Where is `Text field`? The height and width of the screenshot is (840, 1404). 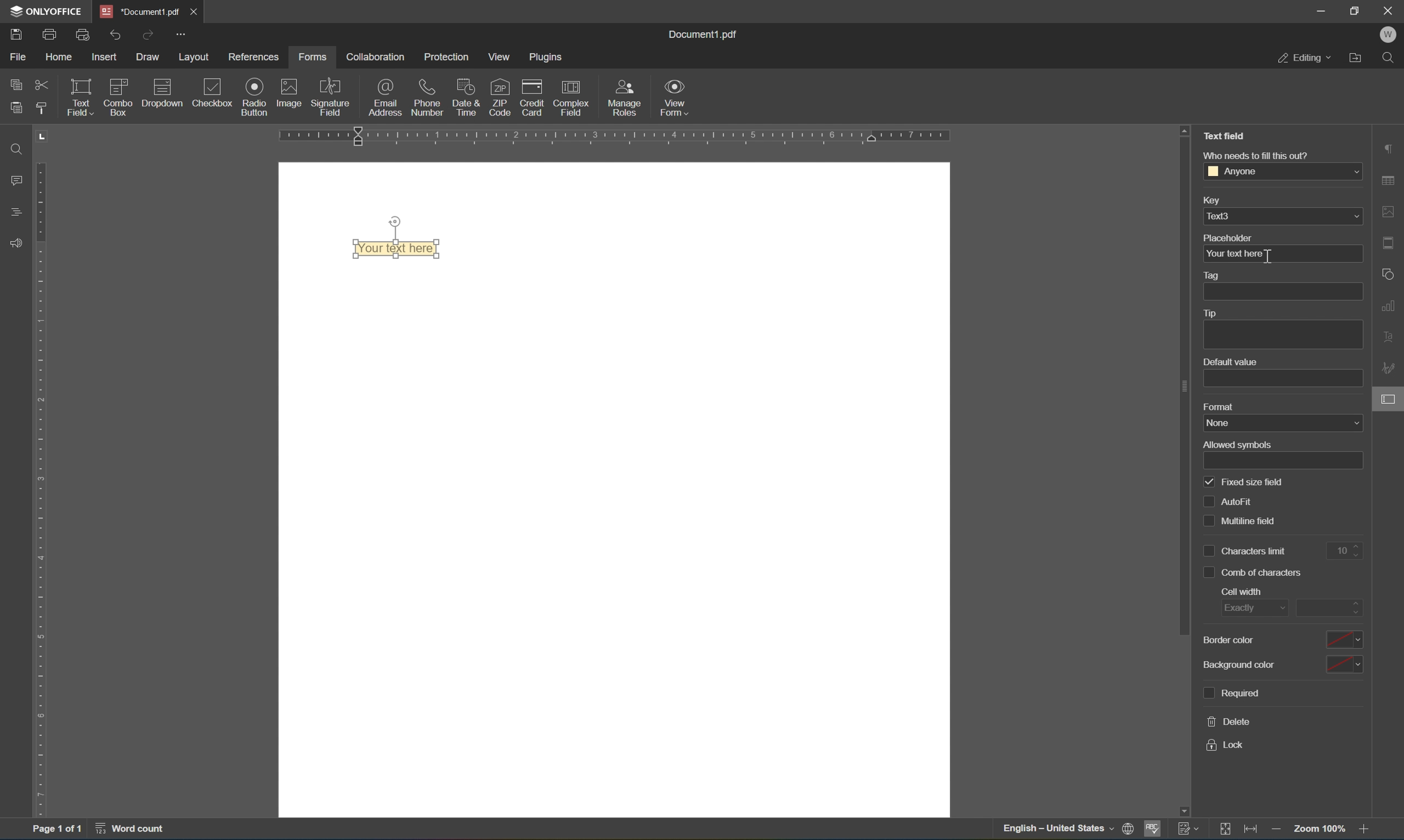
Text field is located at coordinates (1225, 138).